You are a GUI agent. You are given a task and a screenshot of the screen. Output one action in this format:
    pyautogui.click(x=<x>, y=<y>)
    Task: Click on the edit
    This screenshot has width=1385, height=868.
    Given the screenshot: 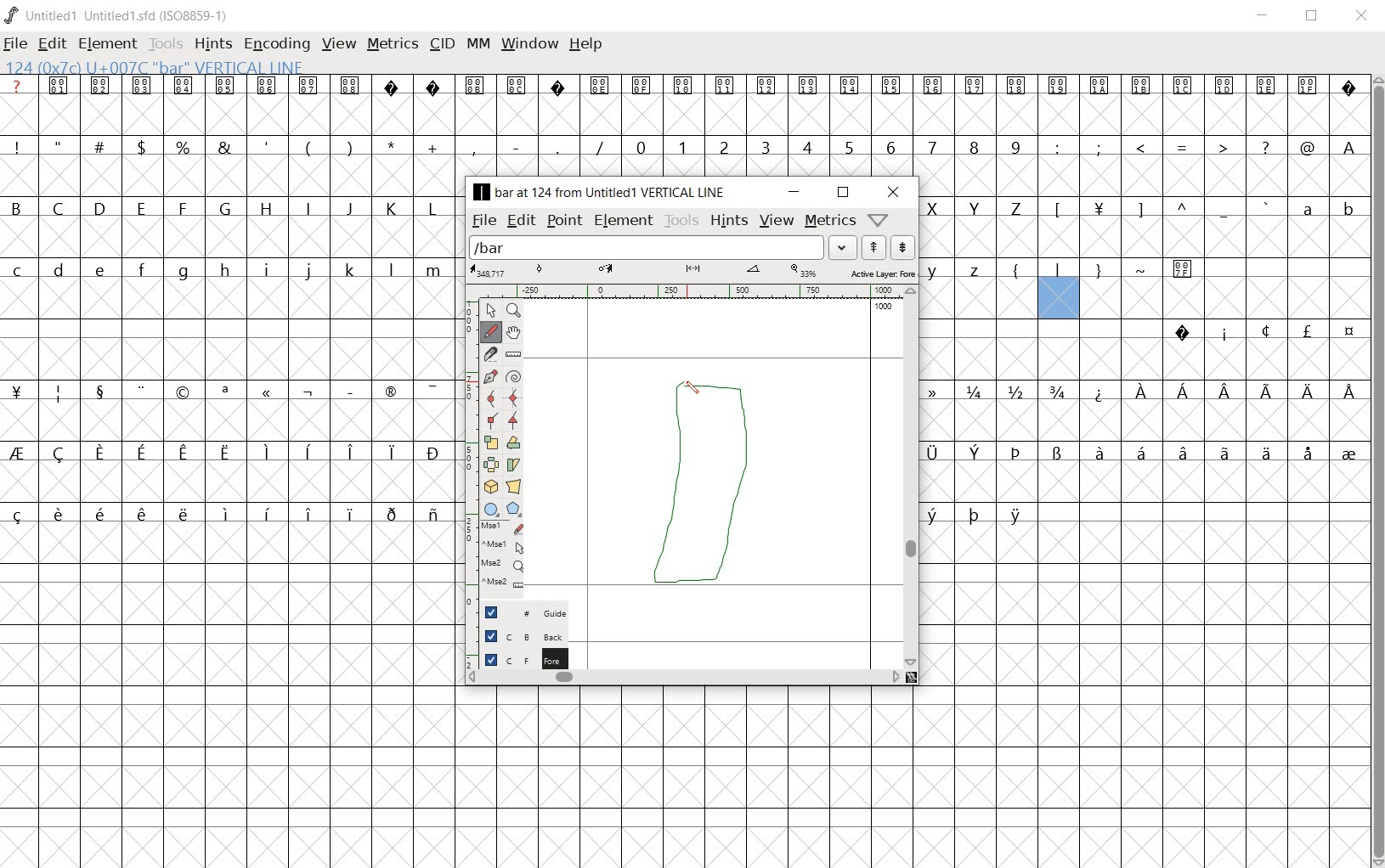 What is the action you would take?
    pyautogui.click(x=519, y=221)
    